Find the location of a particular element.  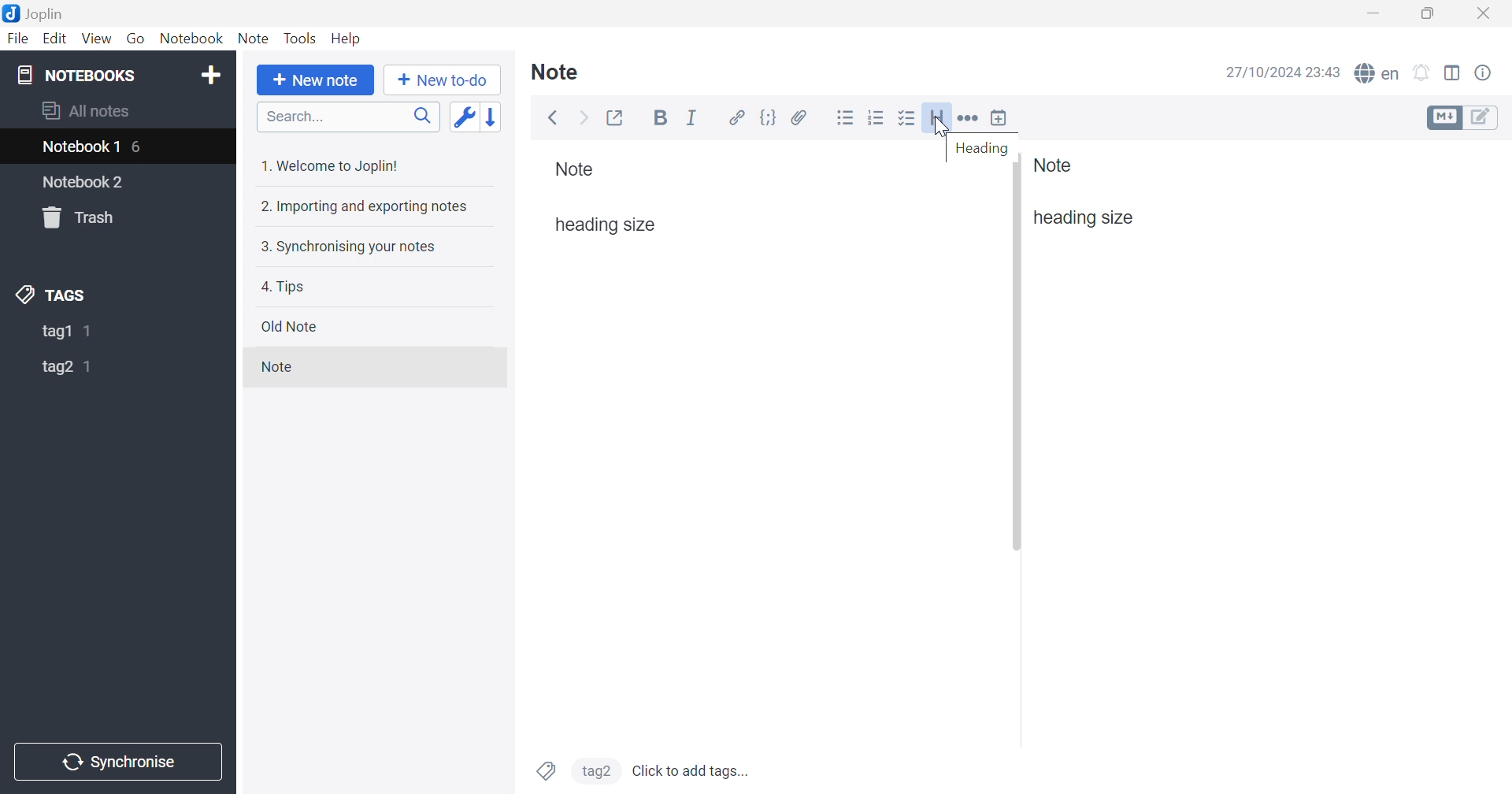

Numbered List is located at coordinates (877, 117).